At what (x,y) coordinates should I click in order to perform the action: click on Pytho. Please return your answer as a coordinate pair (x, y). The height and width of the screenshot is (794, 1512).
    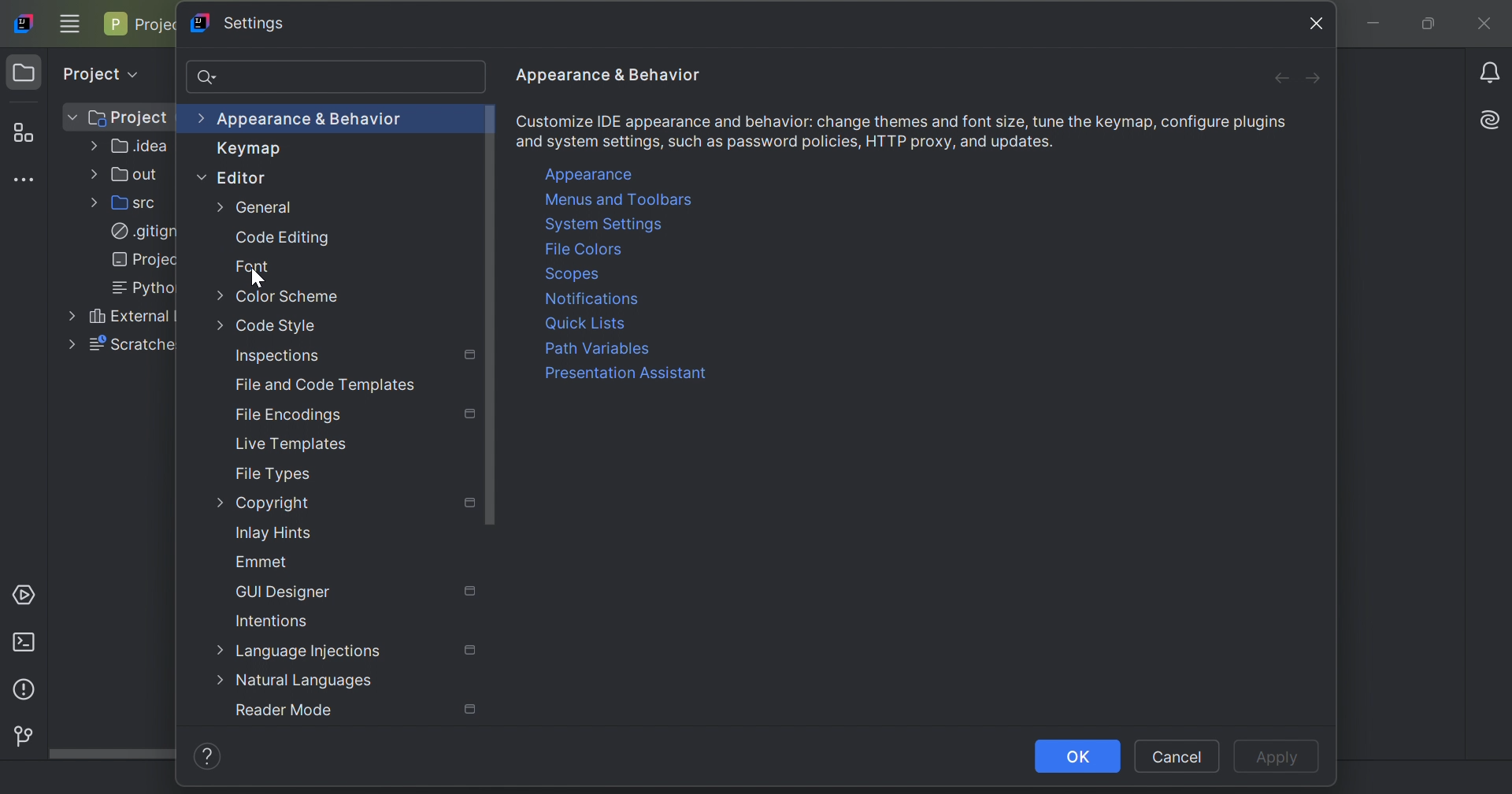
    Looking at the image, I should click on (138, 288).